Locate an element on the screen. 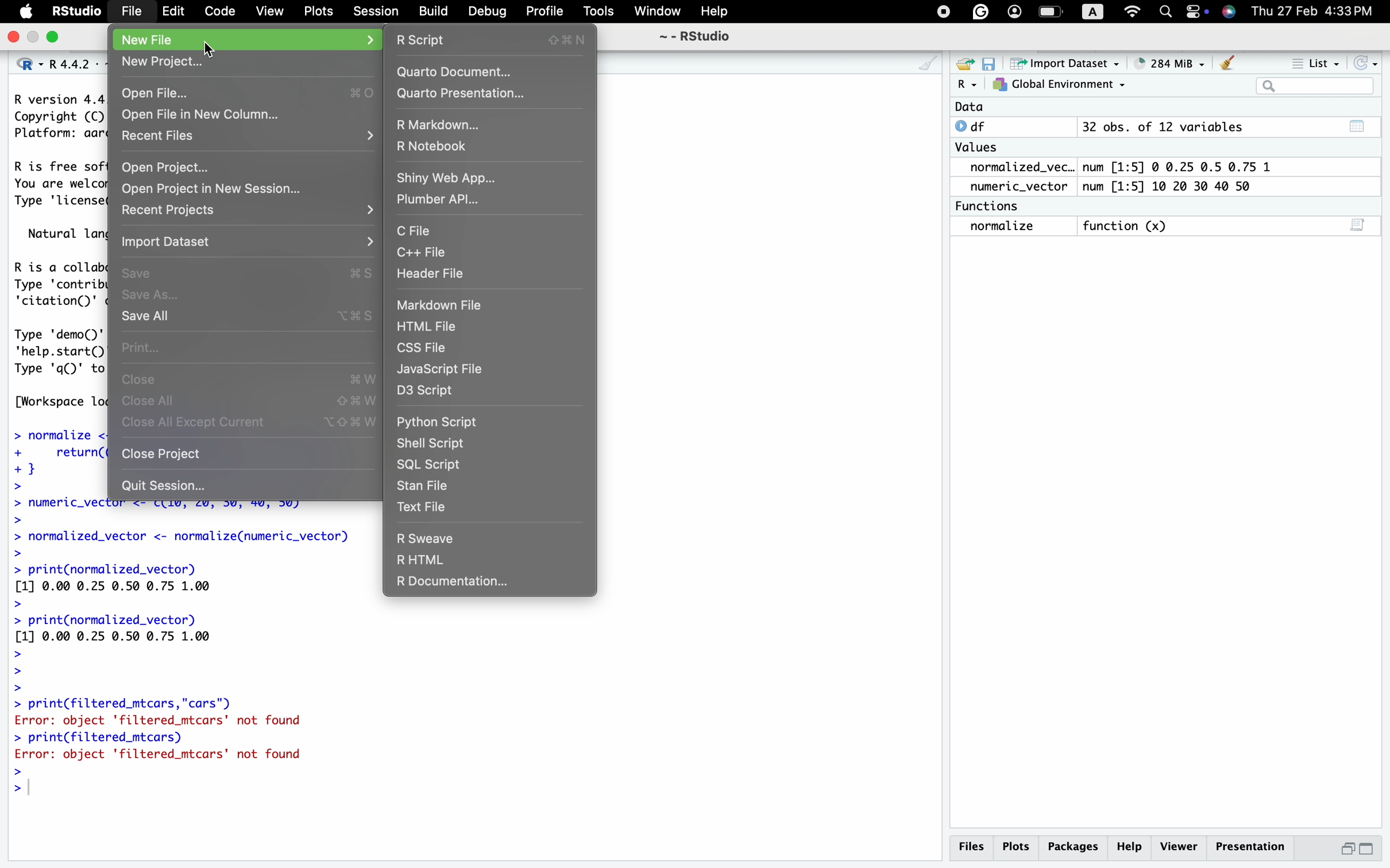 This screenshot has width=1390, height=868. Quarto Presentation... is located at coordinates (465, 94).